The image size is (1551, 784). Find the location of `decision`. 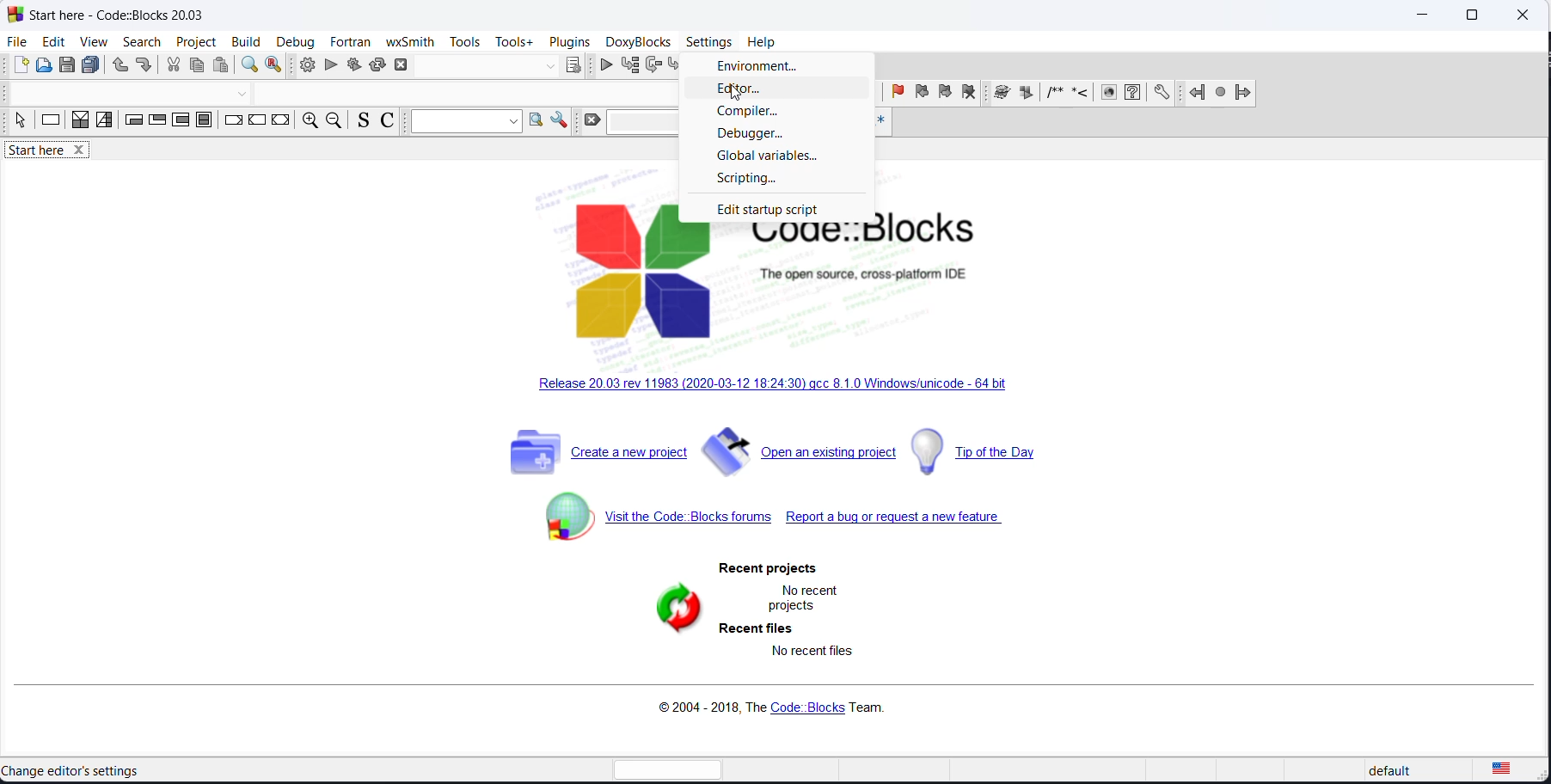

decision is located at coordinates (81, 124).